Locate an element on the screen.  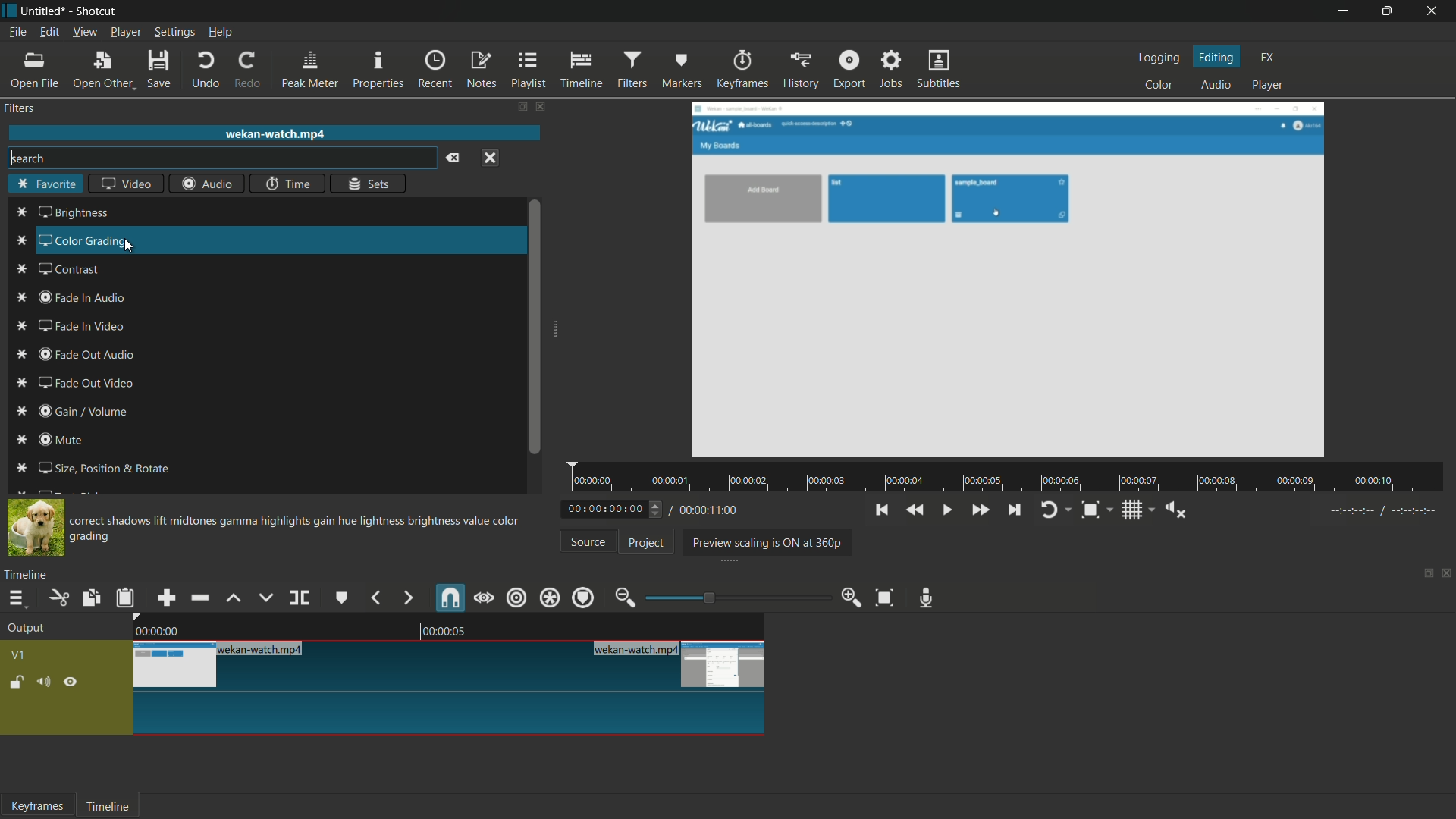
toggle play or pause is located at coordinates (947, 510).